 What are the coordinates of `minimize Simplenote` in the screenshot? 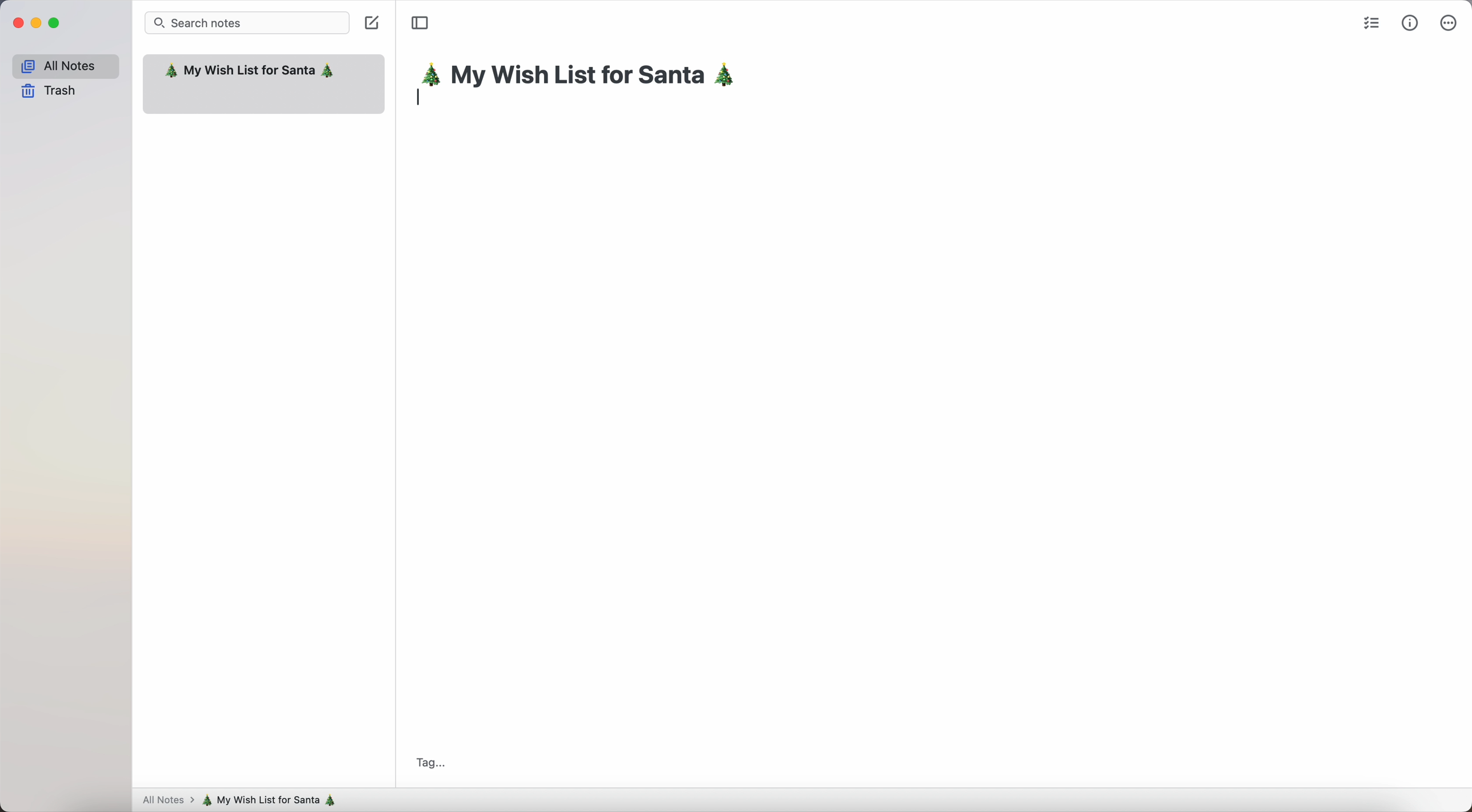 It's located at (36, 24).